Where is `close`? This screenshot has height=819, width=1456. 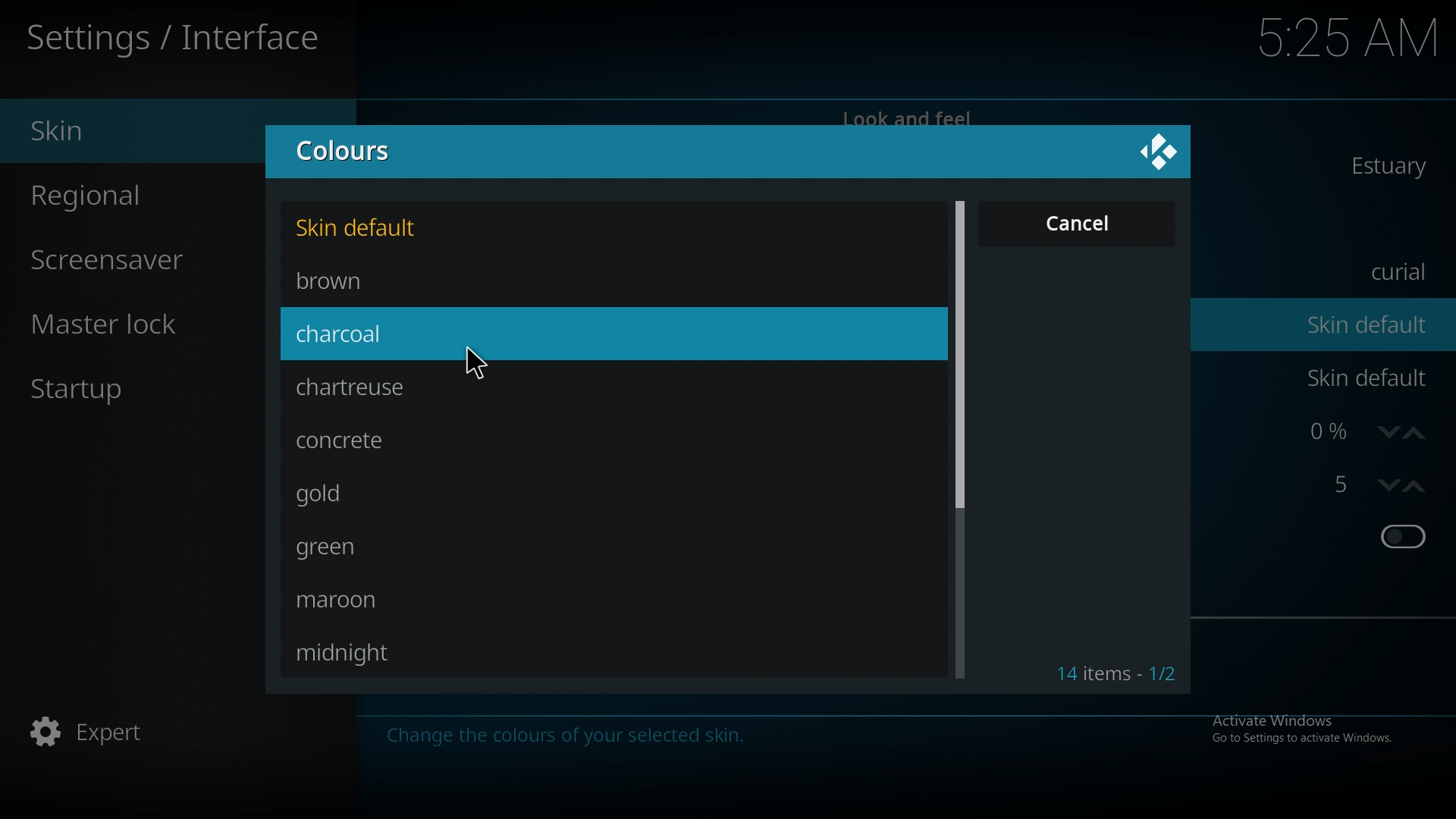
close is located at coordinates (1157, 152).